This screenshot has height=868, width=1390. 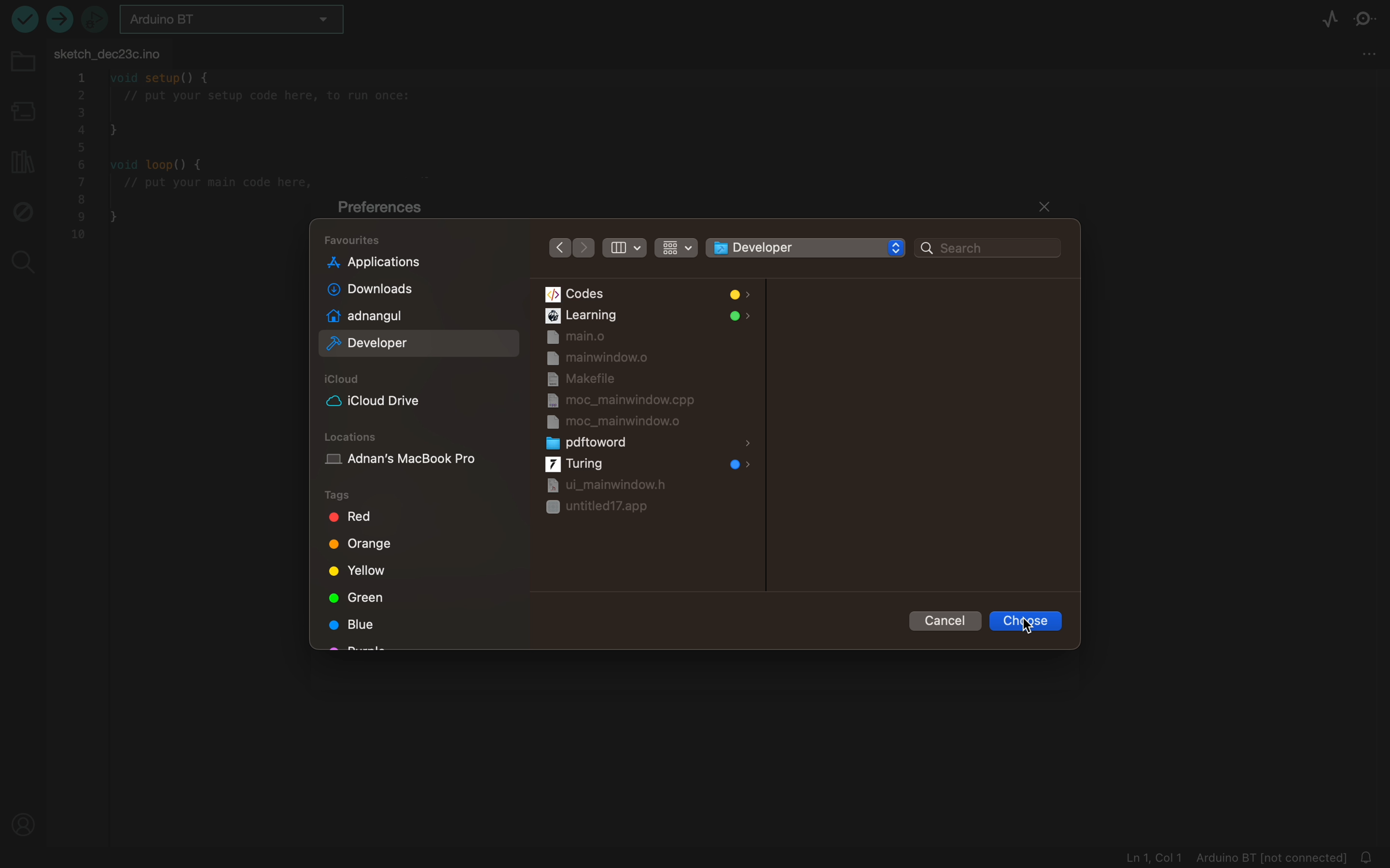 What do you see at coordinates (22, 164) in the screenshot?
I see `library` at bounding box center [22, 164].